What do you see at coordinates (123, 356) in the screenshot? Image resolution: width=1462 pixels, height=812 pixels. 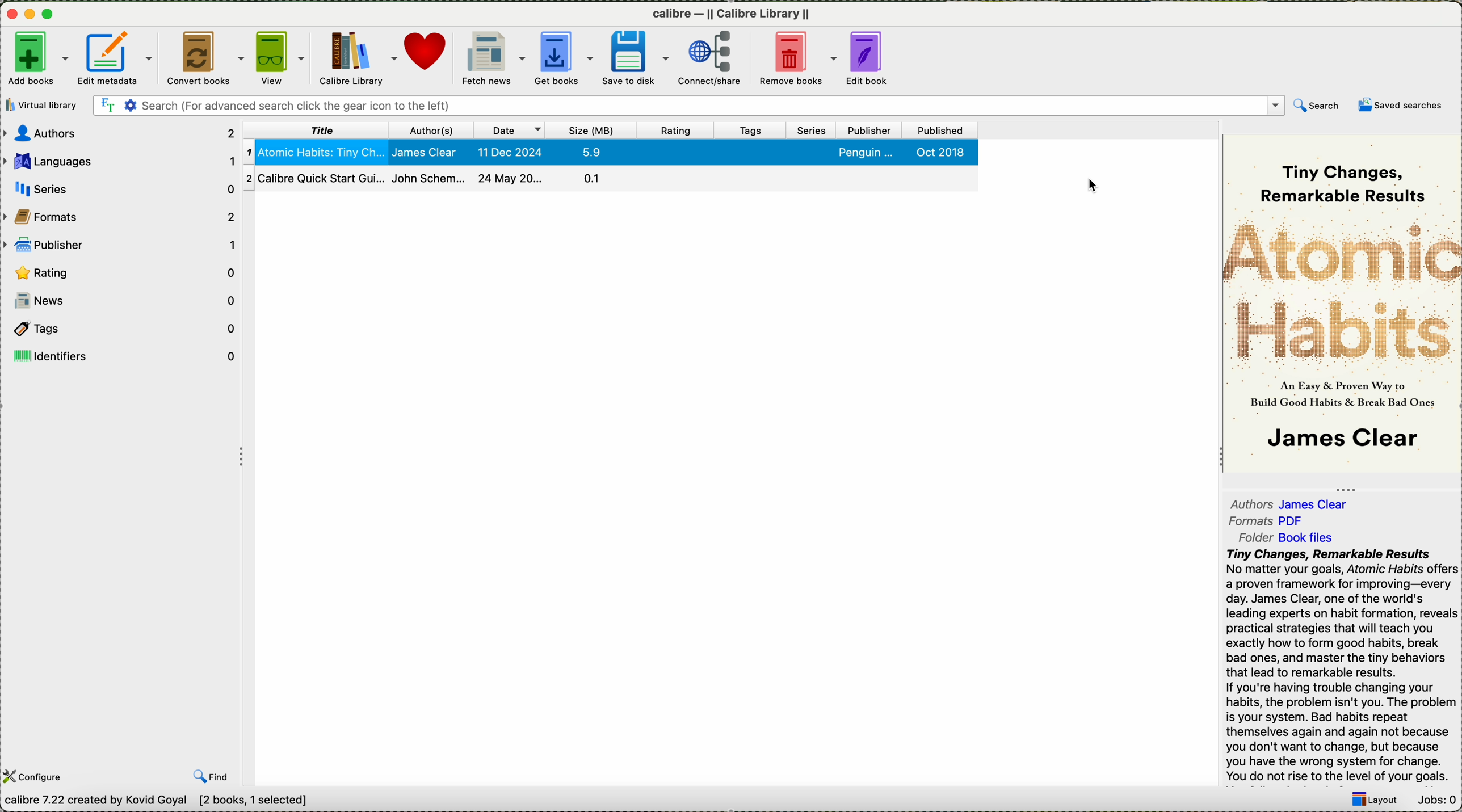 I see `identifiers` at bounding box center [123, 356].